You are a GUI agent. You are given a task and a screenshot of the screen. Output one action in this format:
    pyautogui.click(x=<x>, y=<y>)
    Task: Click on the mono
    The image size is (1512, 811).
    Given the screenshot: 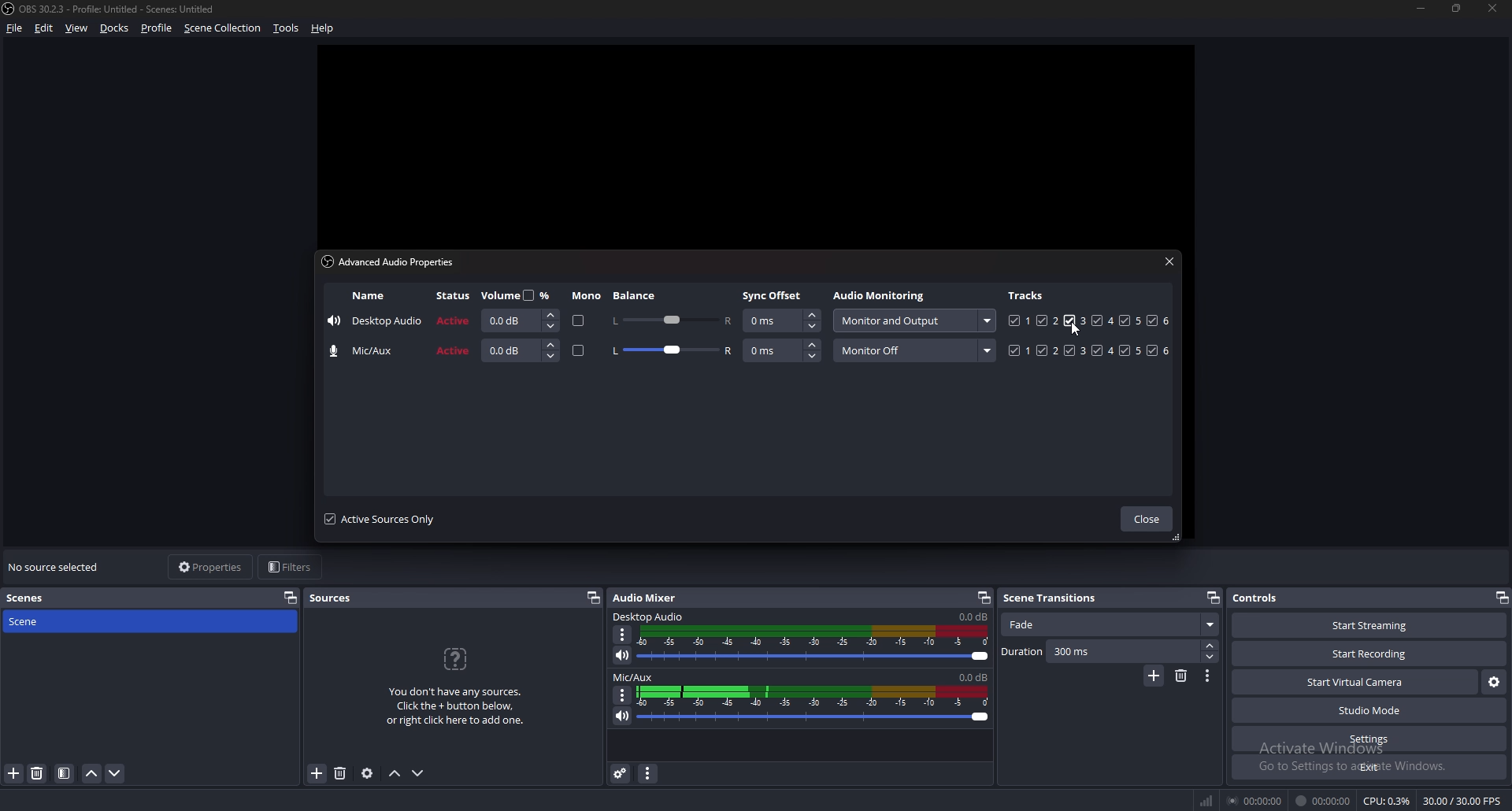 What is the action you would take?
    pyautogui.click(x=579, y=352)
    